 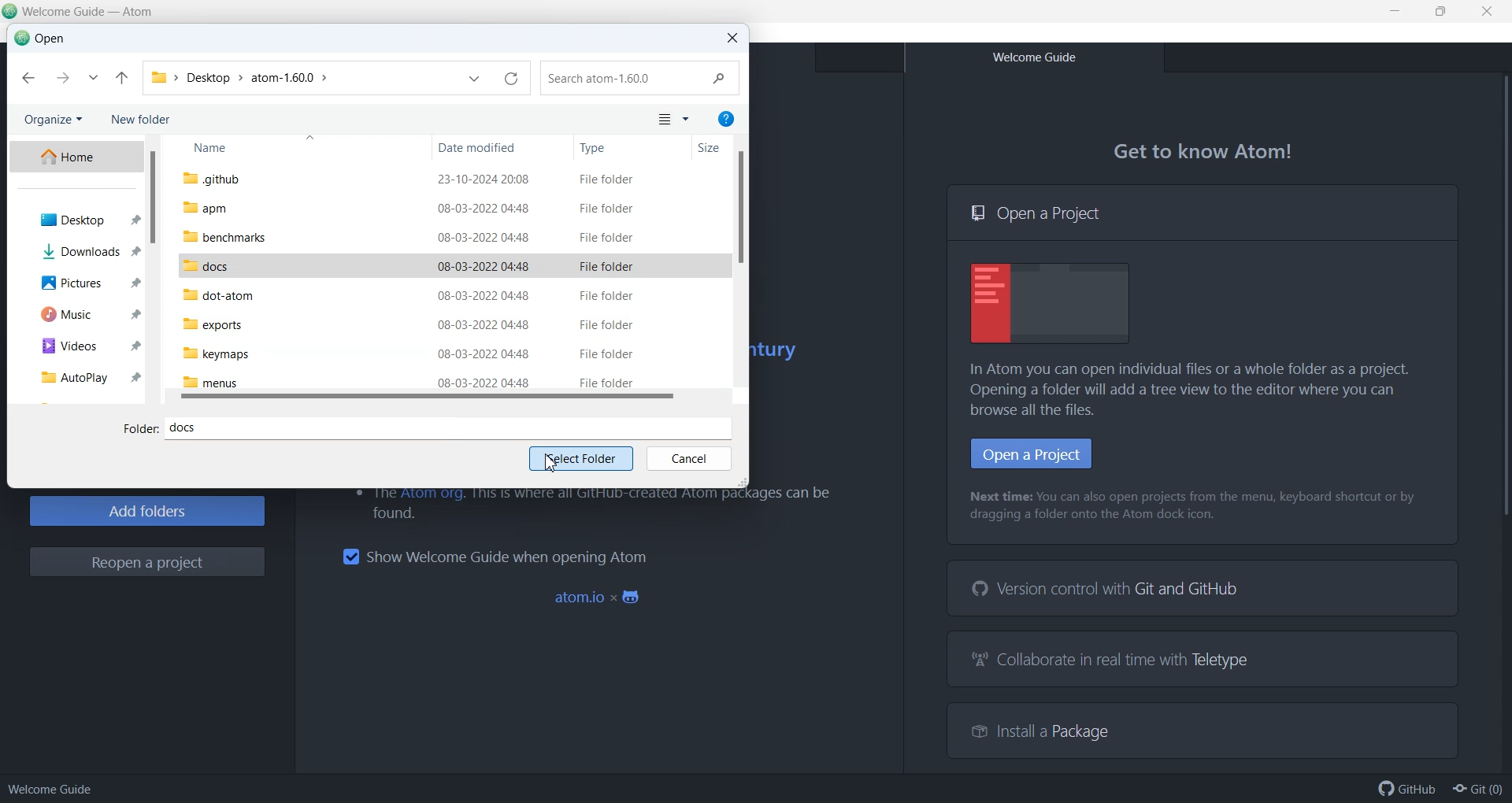 What do you see at coordinates (483, 209) in the screenshot?
I see `08-03-2022 04:48` at bounding box center [483, 209].